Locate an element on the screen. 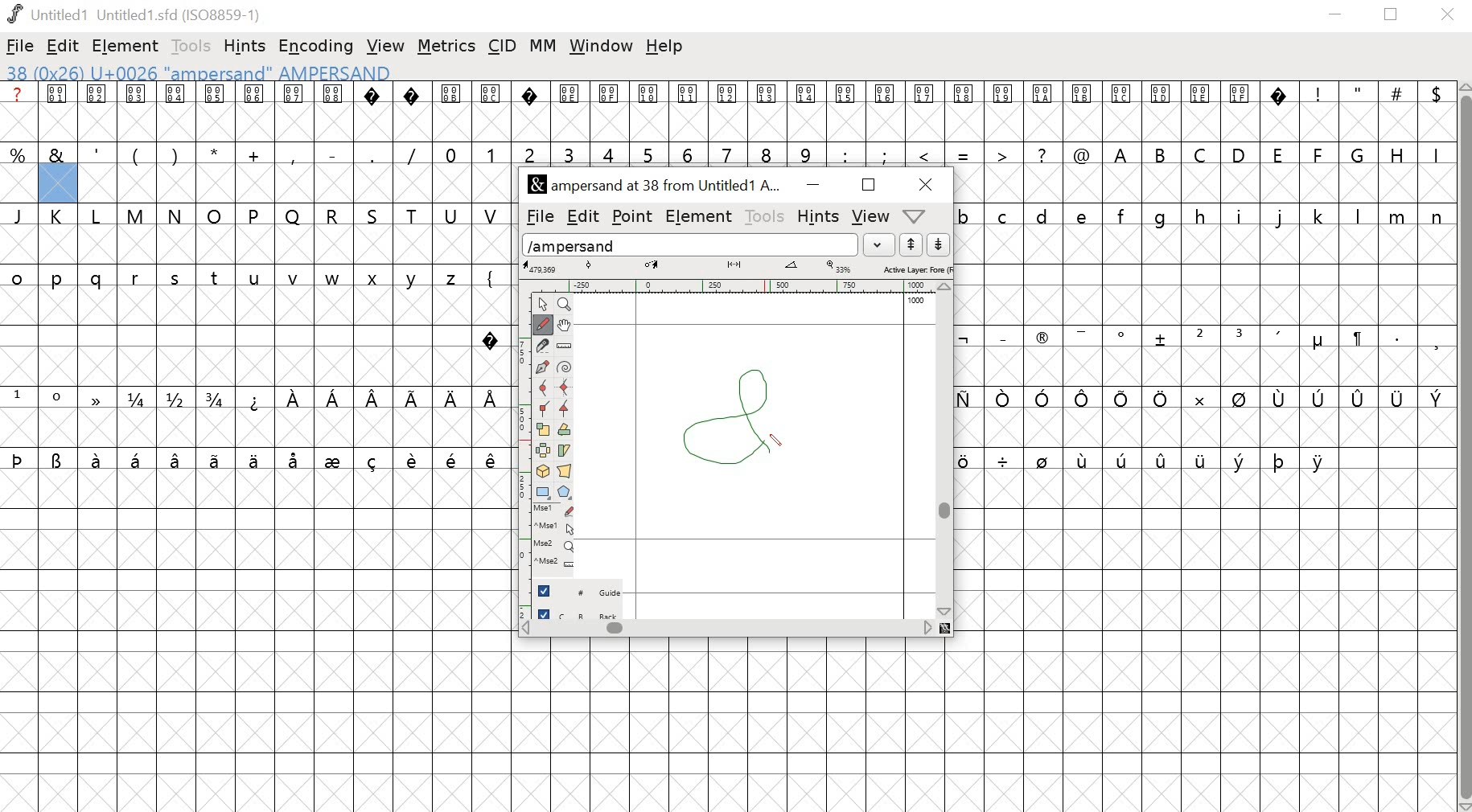  G is located at coordinates (1359, 154).